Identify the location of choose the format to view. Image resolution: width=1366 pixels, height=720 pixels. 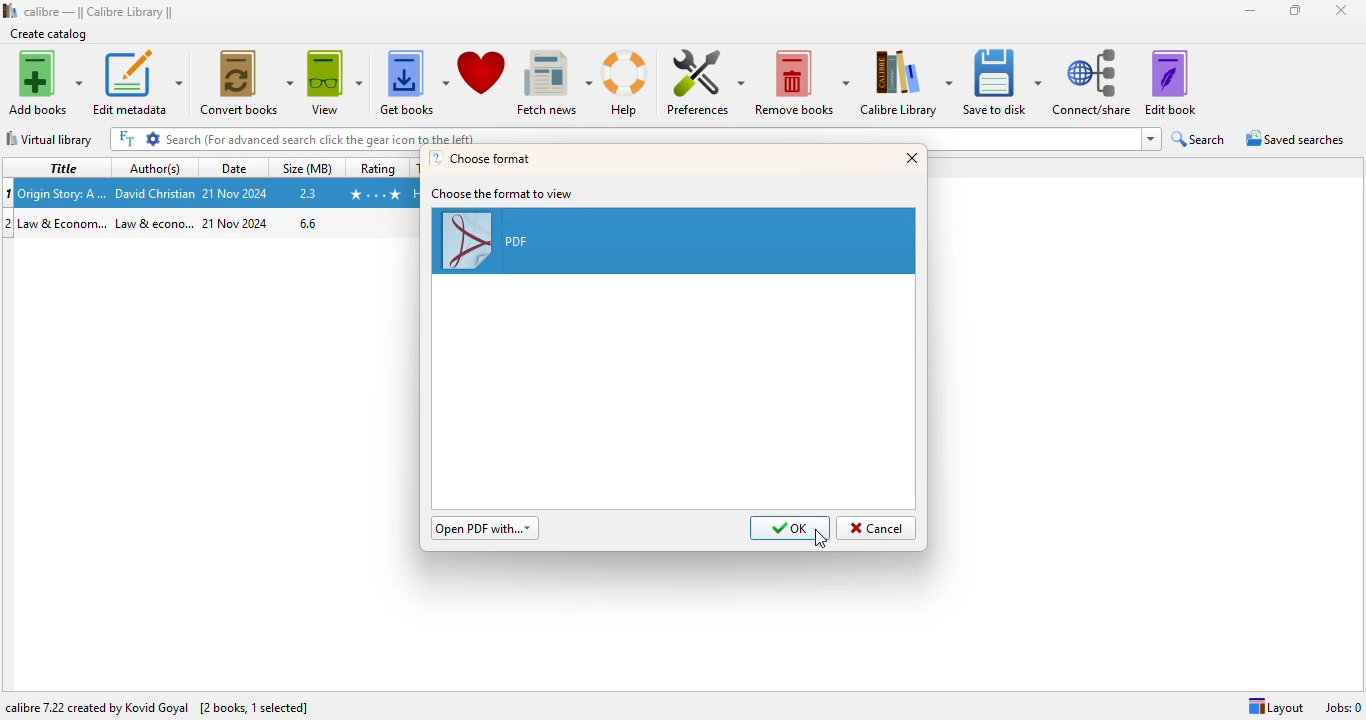
(503, 194).